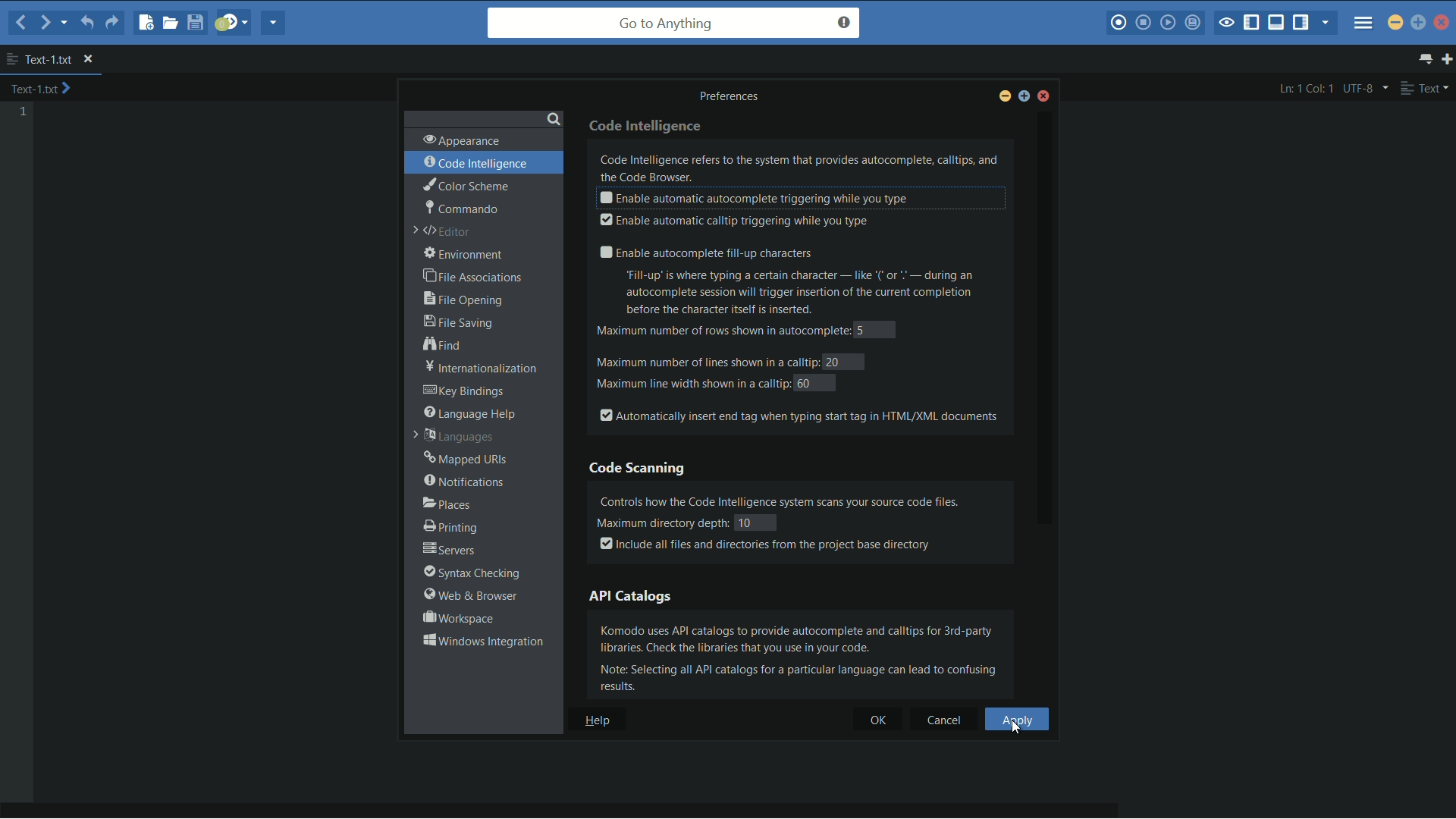 The width and height of the screenshot is (1456, 819). Describe the element at coordinates (576, 810) in the screenshot. I see `horizontal scroll bar` at that location.